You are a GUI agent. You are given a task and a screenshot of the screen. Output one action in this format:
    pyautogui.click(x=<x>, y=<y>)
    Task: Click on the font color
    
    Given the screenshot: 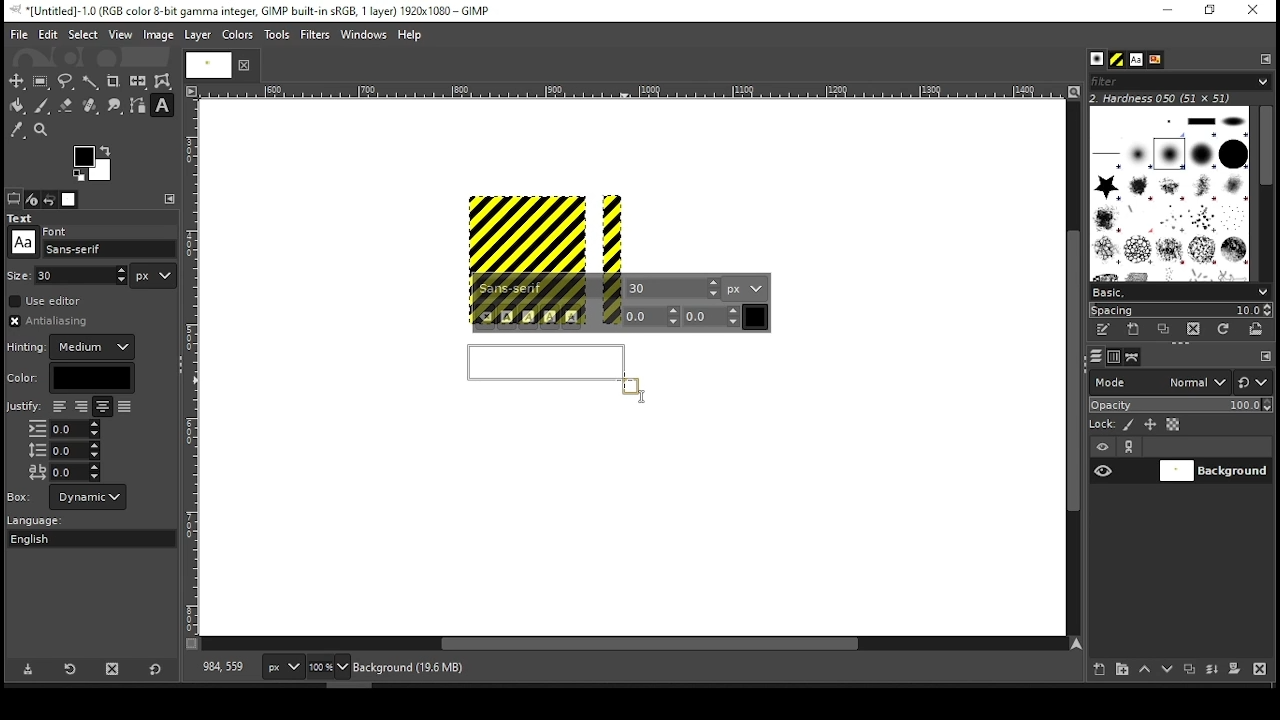 What is the action you would take?
    pyautogui.click(x=756, y=317)
    